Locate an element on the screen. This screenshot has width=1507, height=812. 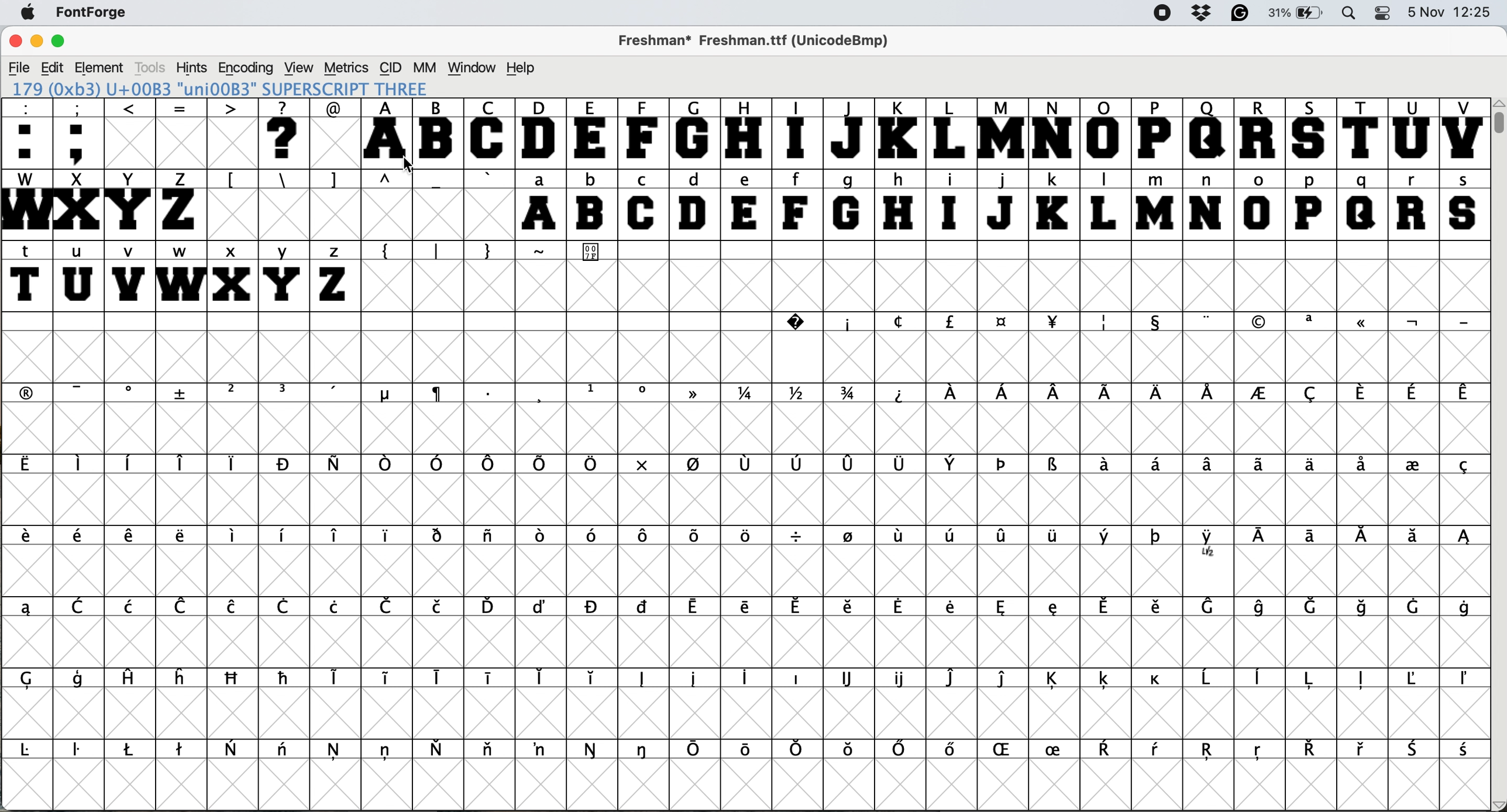
symbol is located at coordinates (1363, 607).